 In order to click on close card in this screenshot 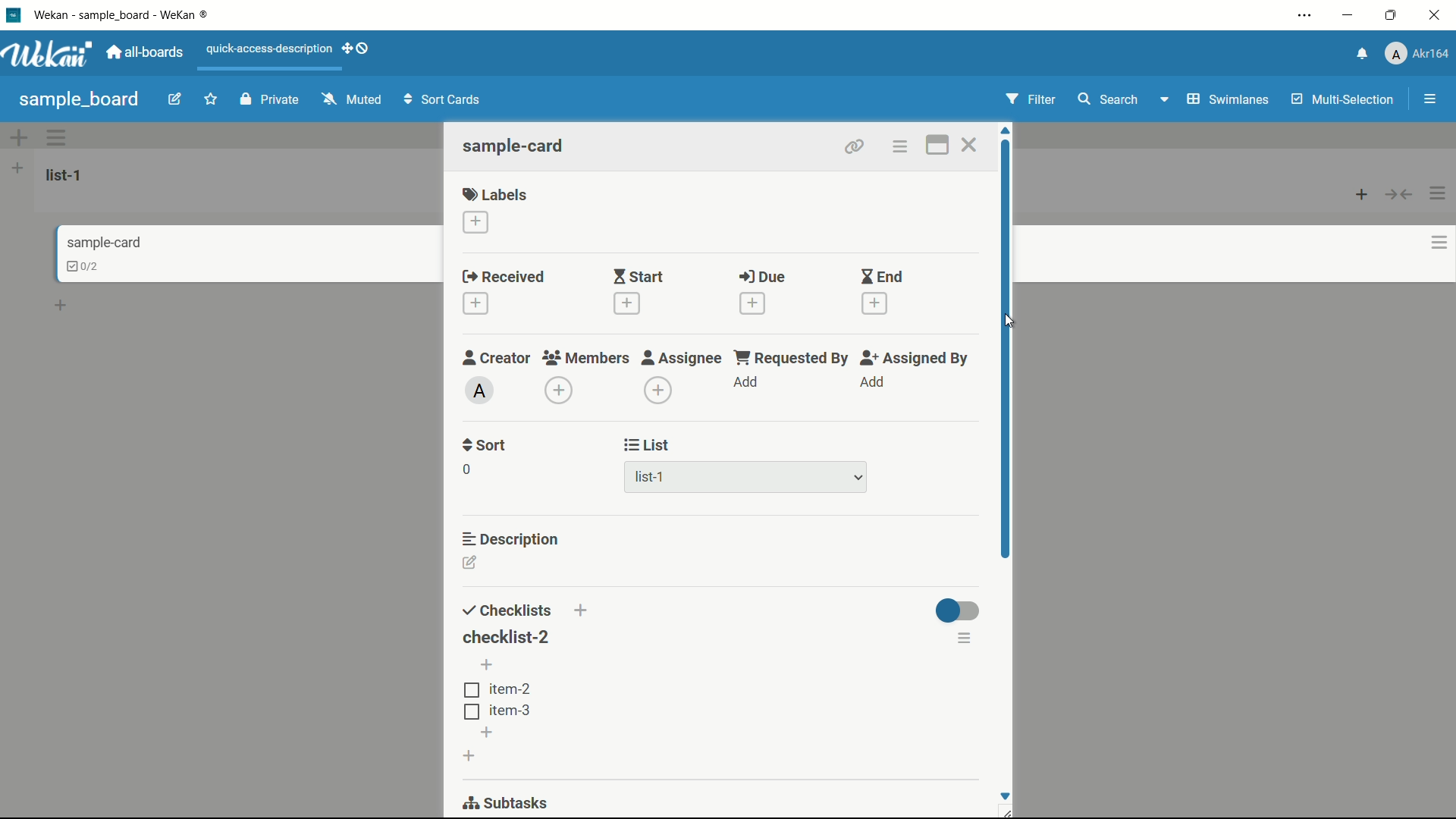, I will do `click(973, 145)`.